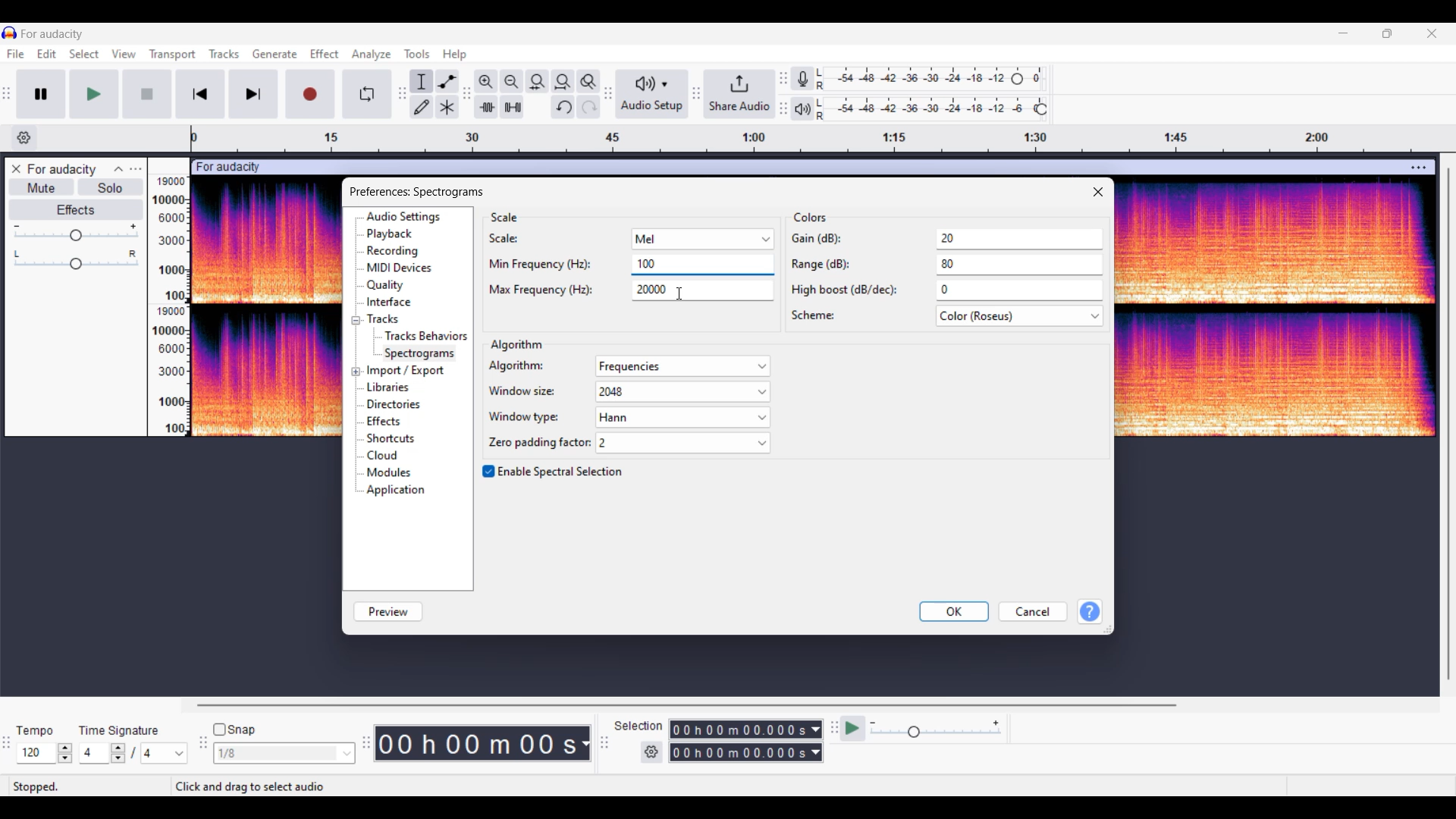  Describe the element at coordinates (224, 54) in the screenshot. I see `Tracks menu` at that location.